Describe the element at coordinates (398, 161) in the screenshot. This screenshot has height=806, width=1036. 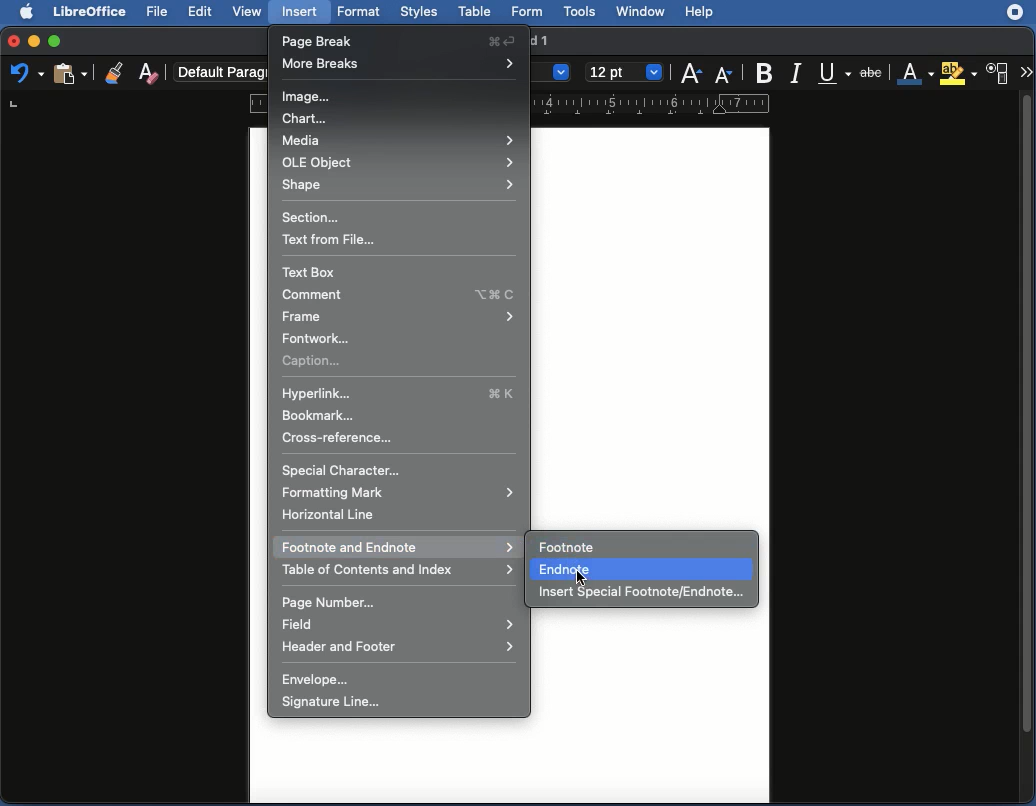
I see `OLE object` at that location.